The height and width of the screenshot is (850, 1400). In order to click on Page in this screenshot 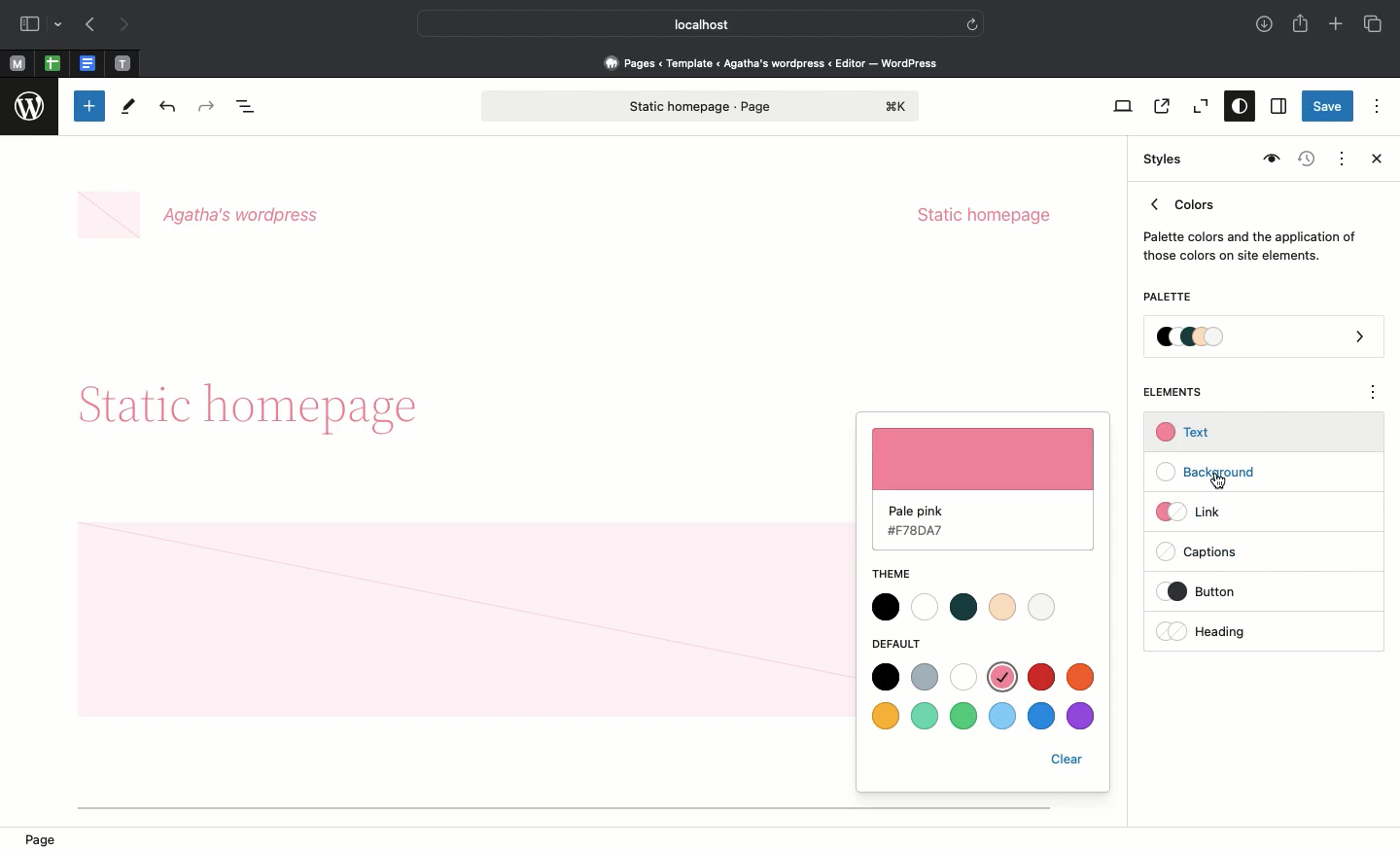, I will do `click(47, 838)`.